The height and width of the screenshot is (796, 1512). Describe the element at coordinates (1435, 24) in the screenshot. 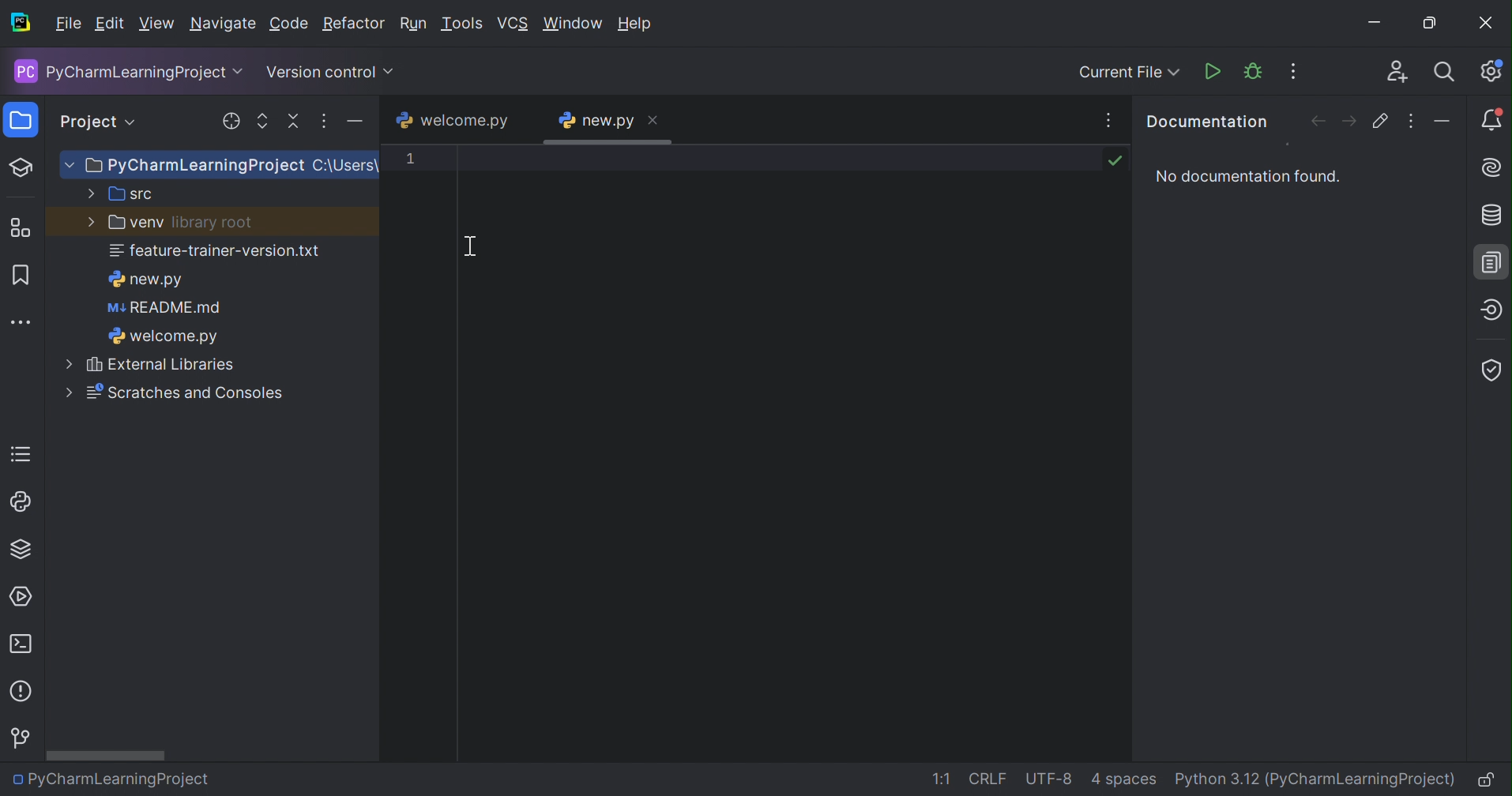

I see `Restore down` at that location.